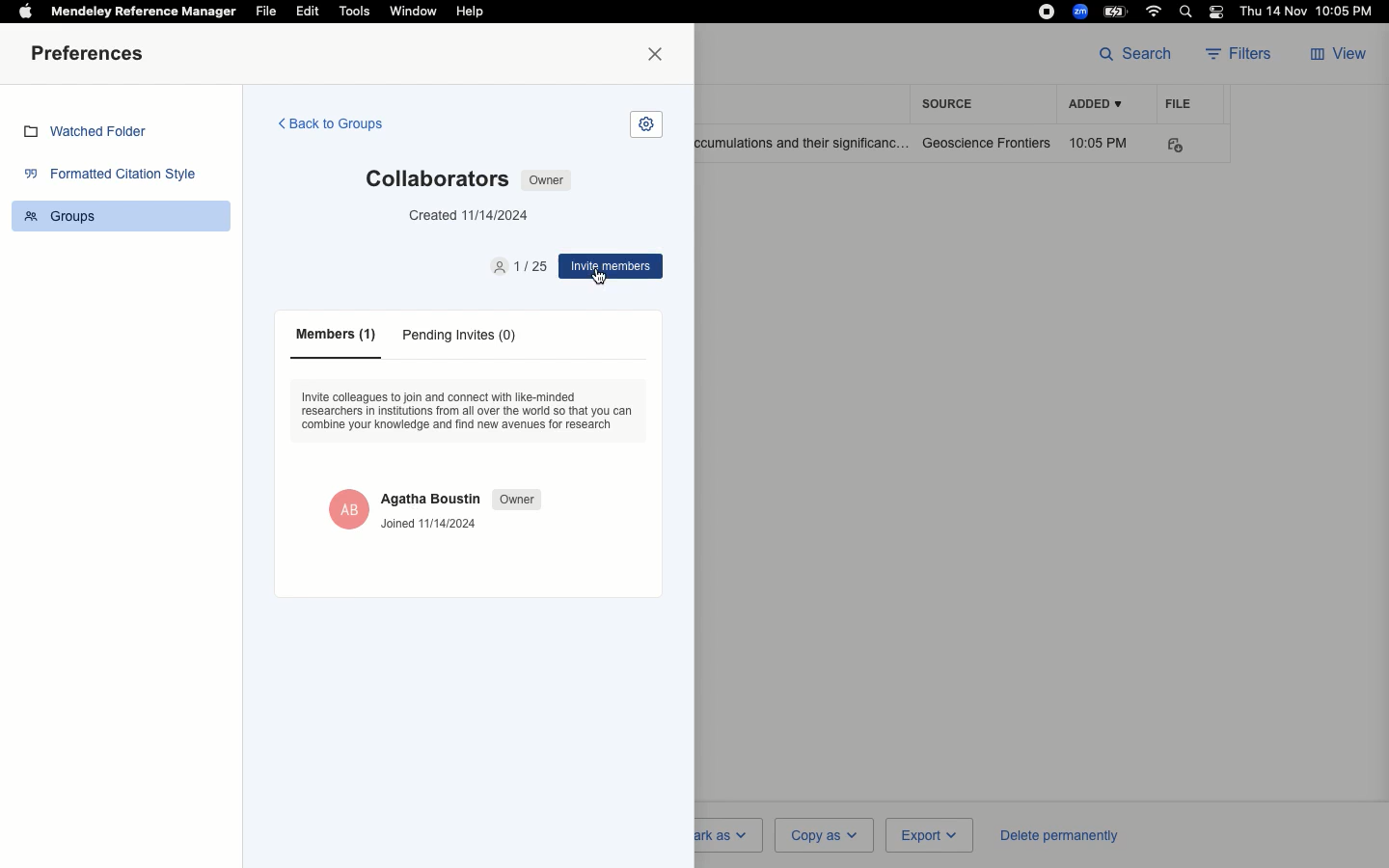 Image resolution: width=1389 pixels, height=868 pixels. Describe the element at coordinates (520, 267) in the screenshot. I see `1/25` at that location.